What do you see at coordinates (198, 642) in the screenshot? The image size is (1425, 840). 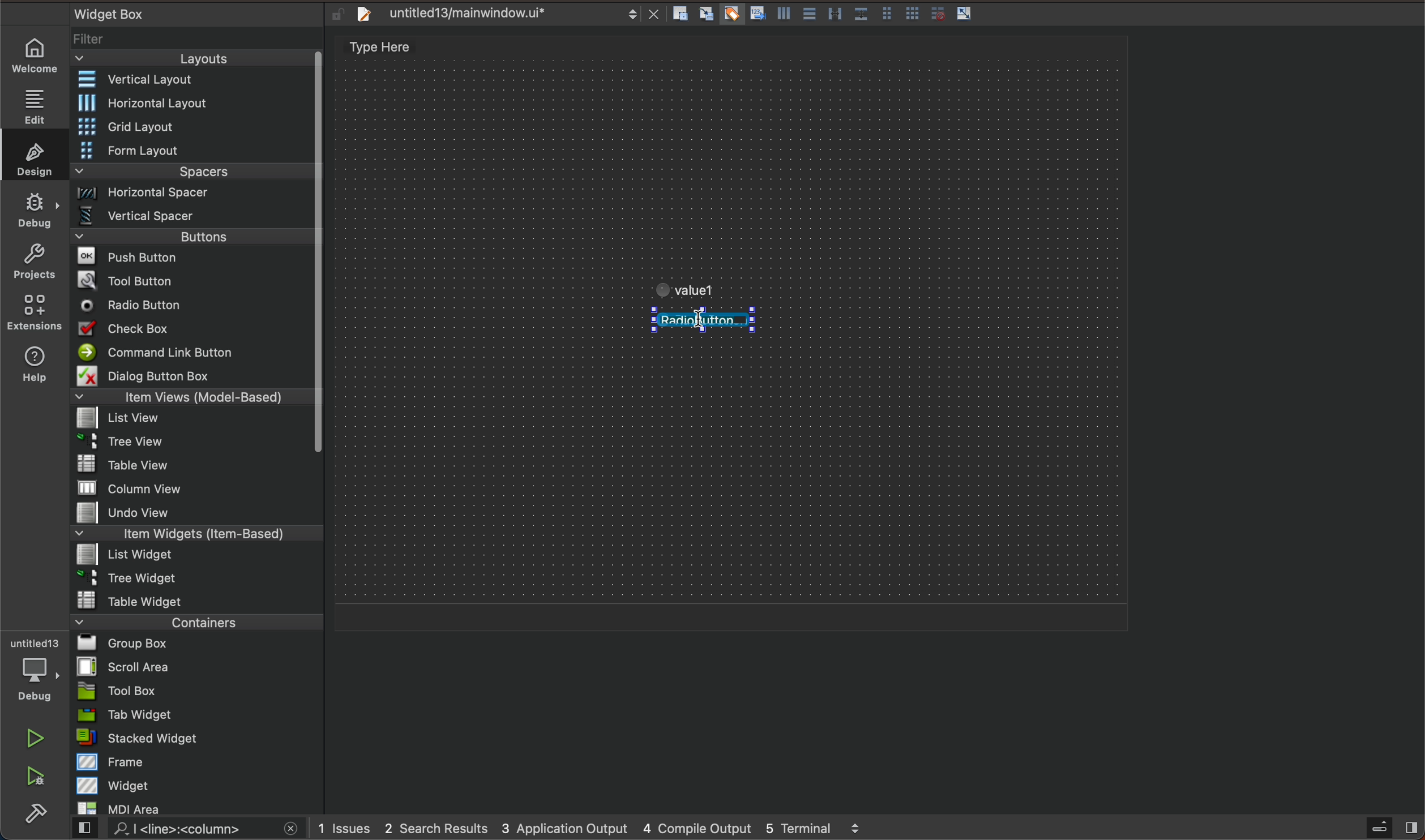 I see `group box` at bounding box center [198, 642].